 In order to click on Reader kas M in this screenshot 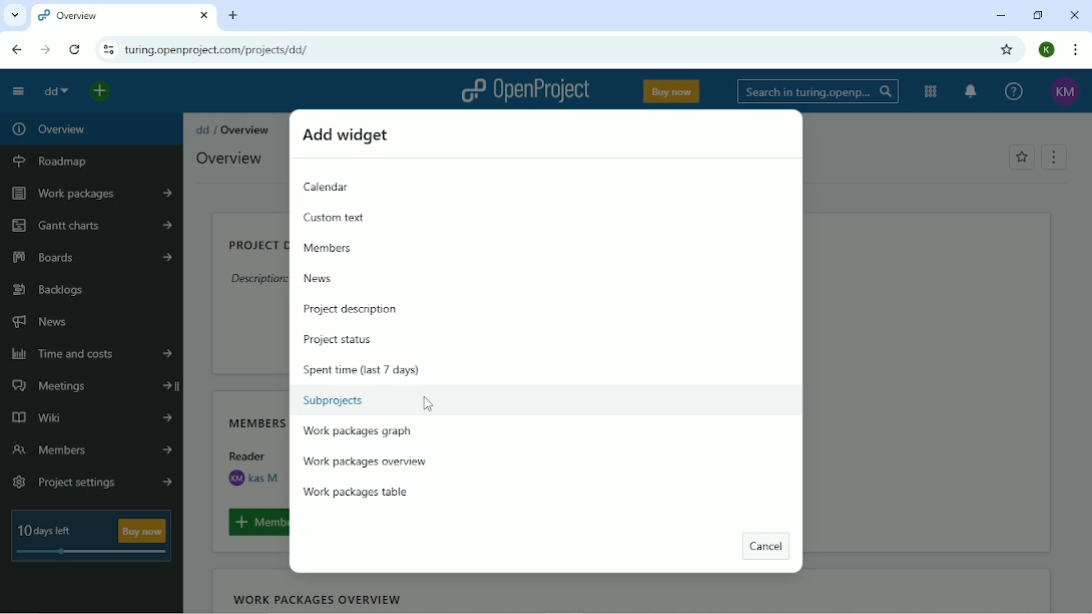, I will do `click(253, 468)`.